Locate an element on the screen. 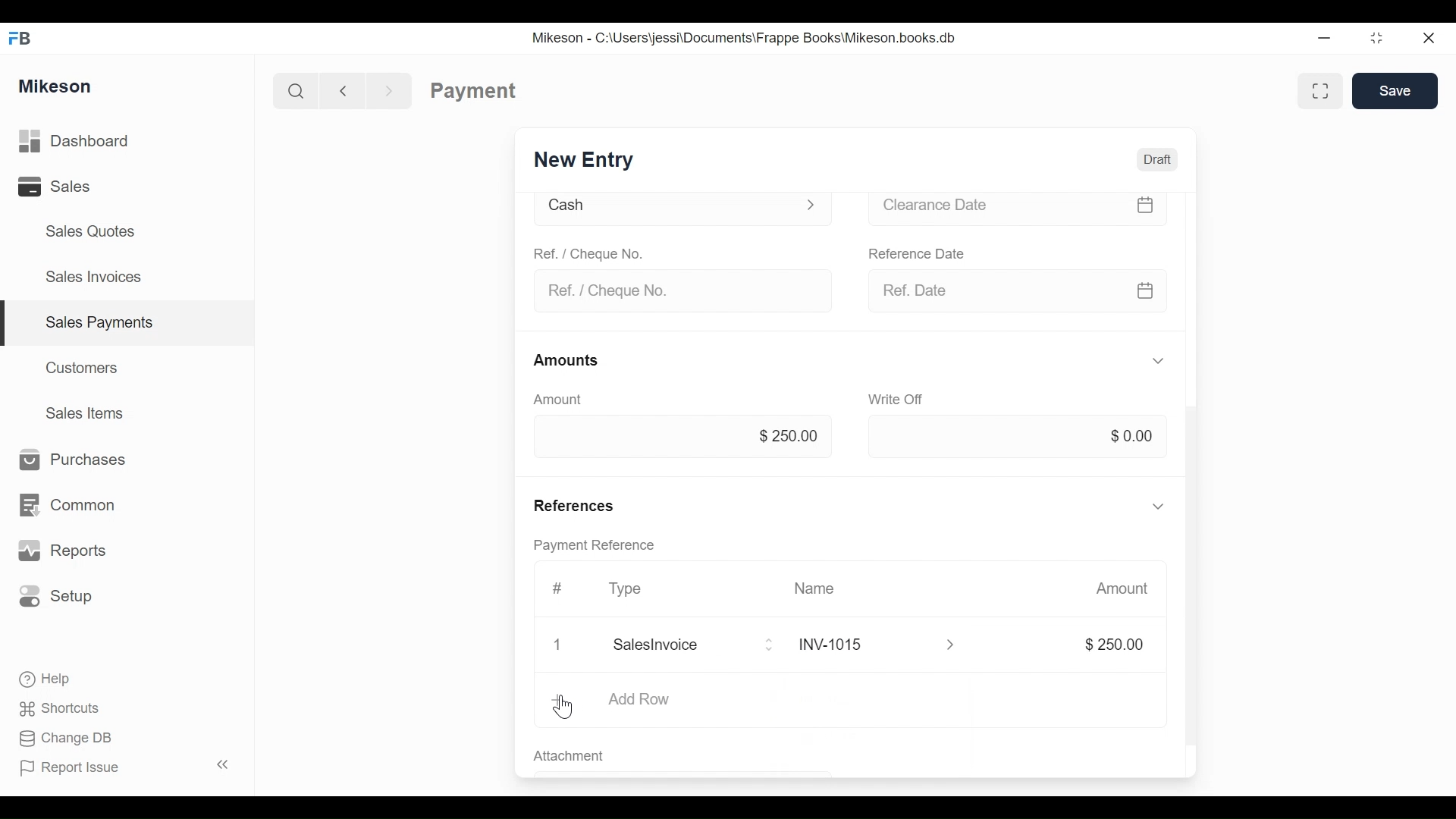 This screenshot has width=1456, height=819. Save is located at coordinates (1398, 92).